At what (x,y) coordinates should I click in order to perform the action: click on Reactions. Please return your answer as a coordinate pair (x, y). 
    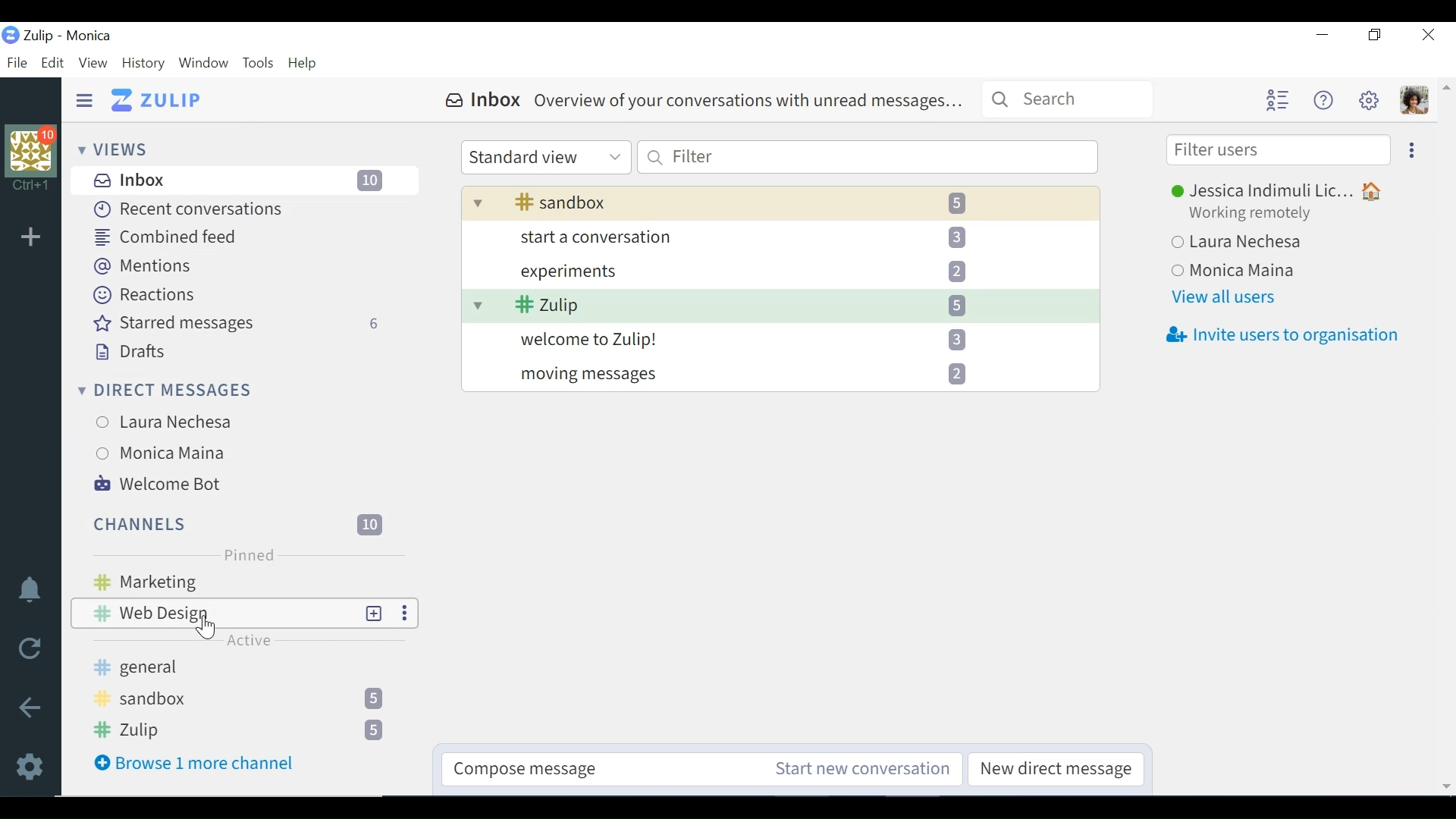
    Looking at the image, I should click on (142, 294).